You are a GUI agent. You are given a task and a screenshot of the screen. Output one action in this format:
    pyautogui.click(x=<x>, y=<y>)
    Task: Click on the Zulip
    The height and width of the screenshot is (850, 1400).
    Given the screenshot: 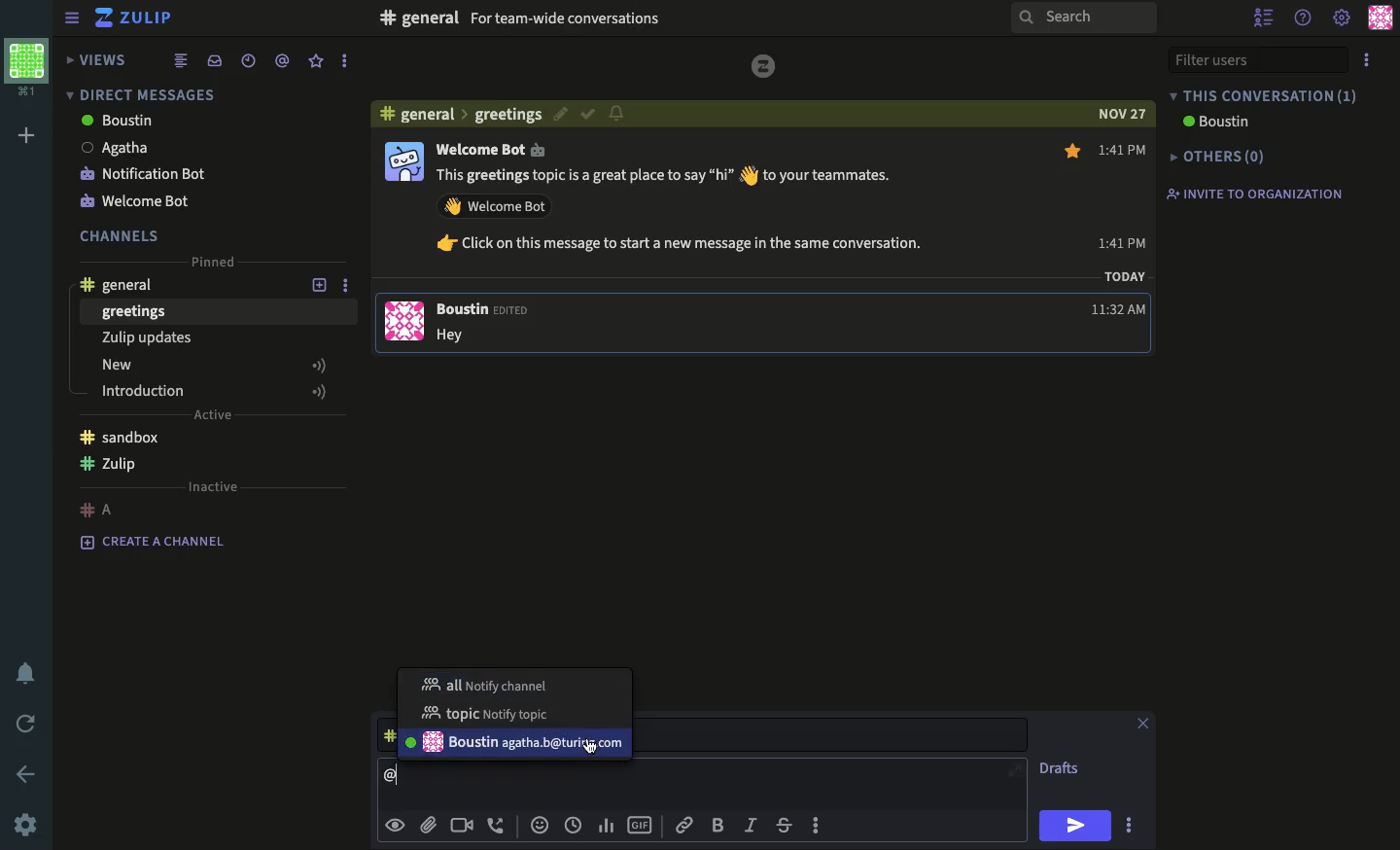 What is the action you would take?
    pyautogui.click(x=109, y=464)
    